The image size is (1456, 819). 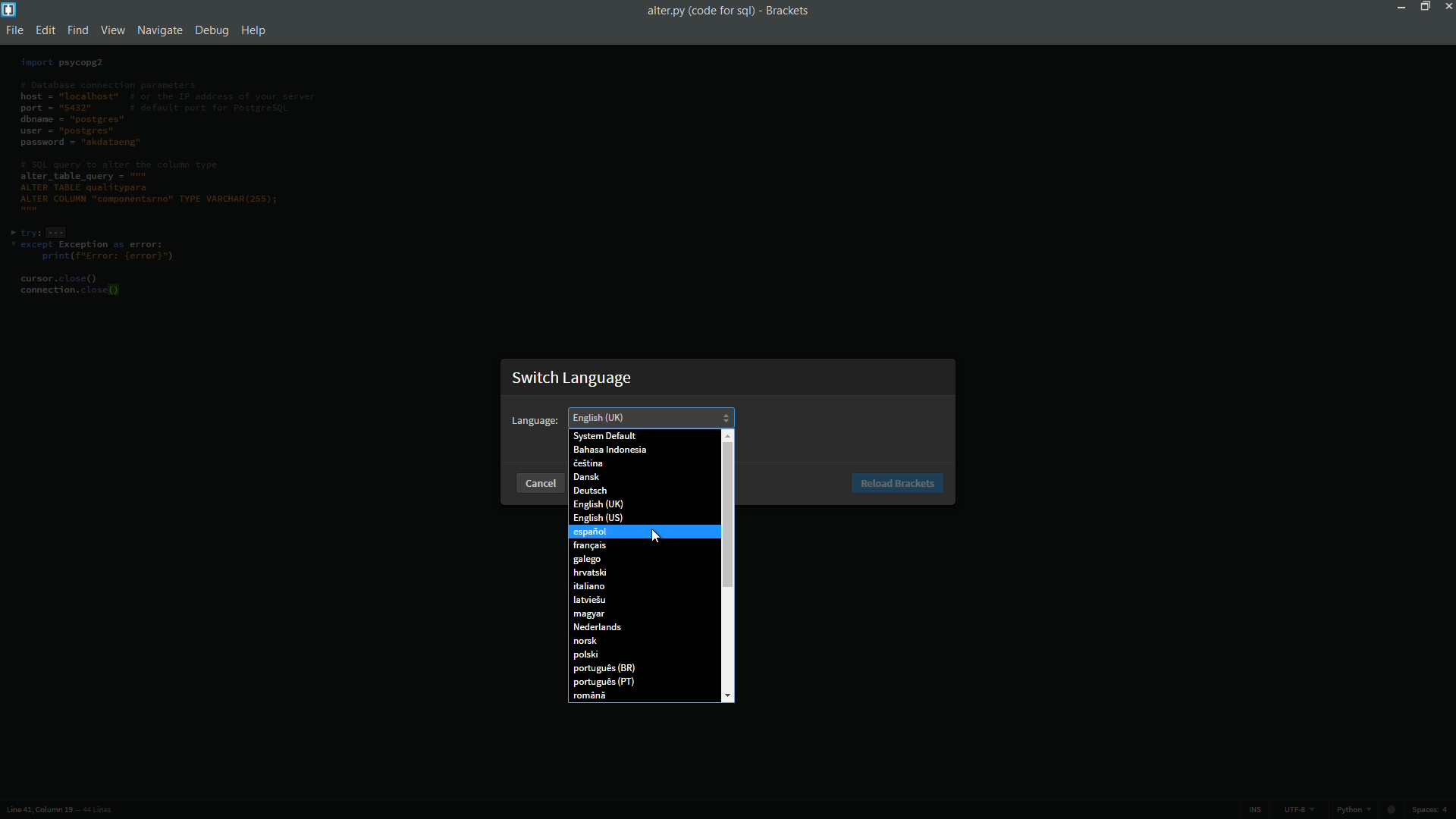 I want to click on Reload Brackets, so click(x=898, y=482).